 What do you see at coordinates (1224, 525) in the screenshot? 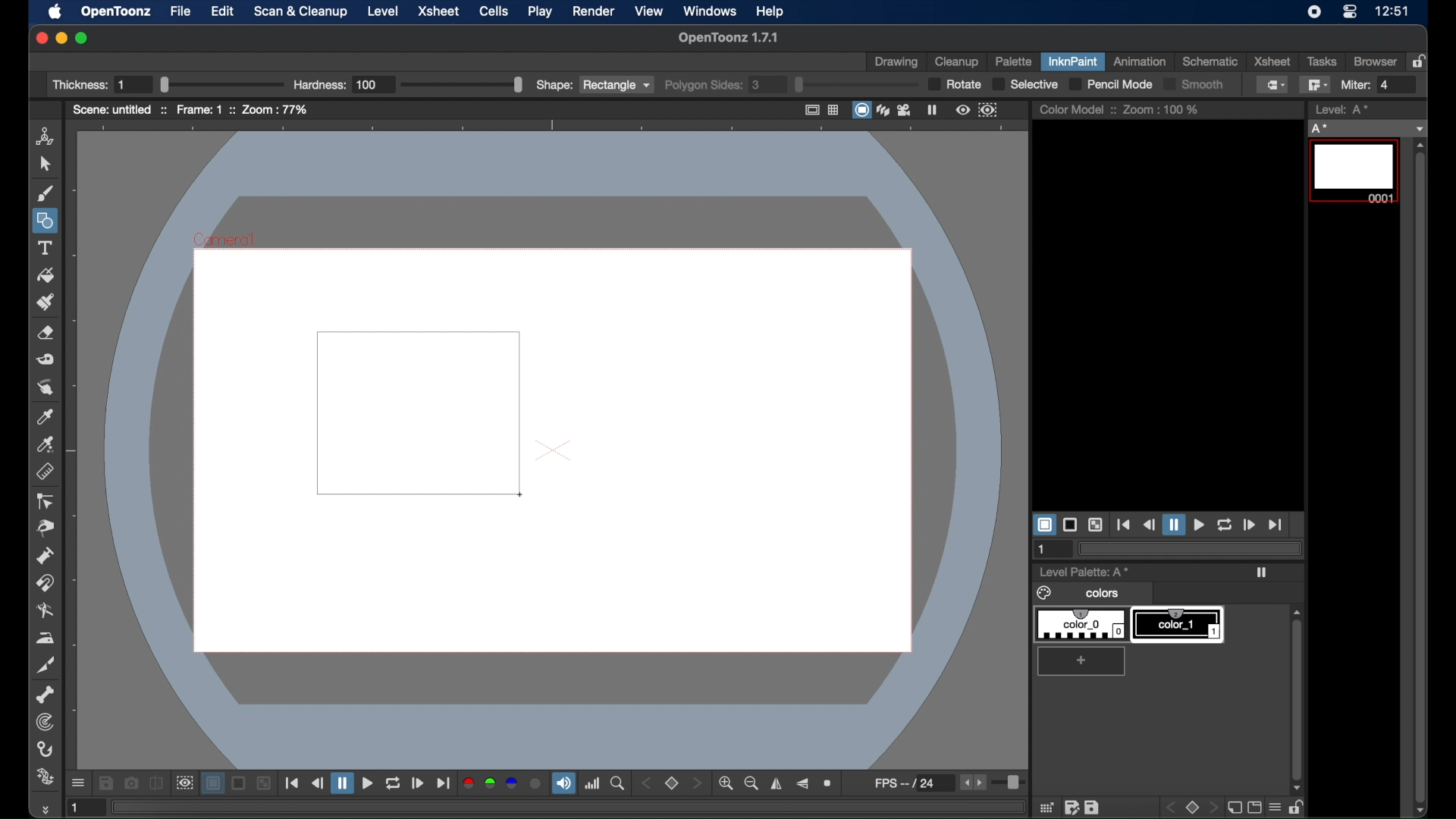
I see `loop` at bounding box center [1224, 525].